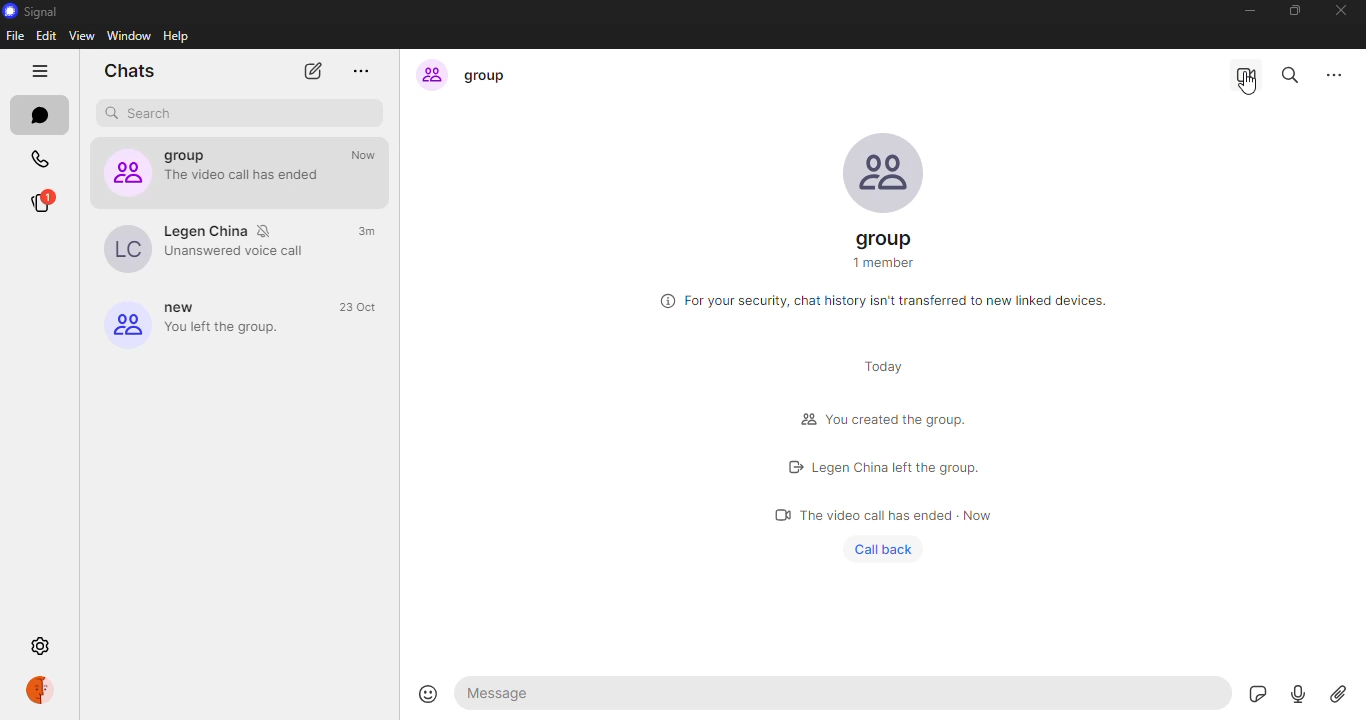  I want to click on video call, so click(1247, 74).